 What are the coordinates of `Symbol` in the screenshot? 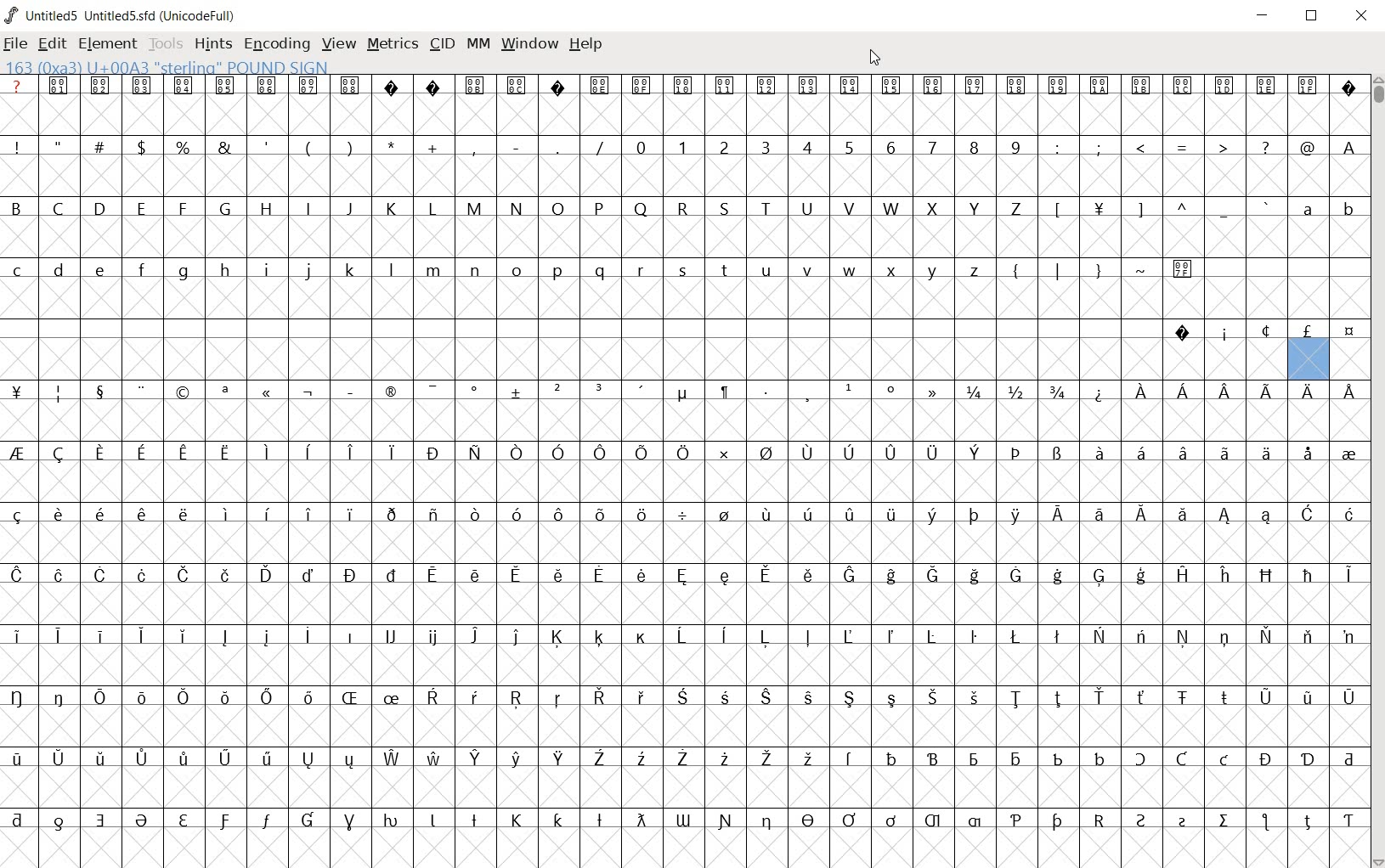 It's located at (726, 575).